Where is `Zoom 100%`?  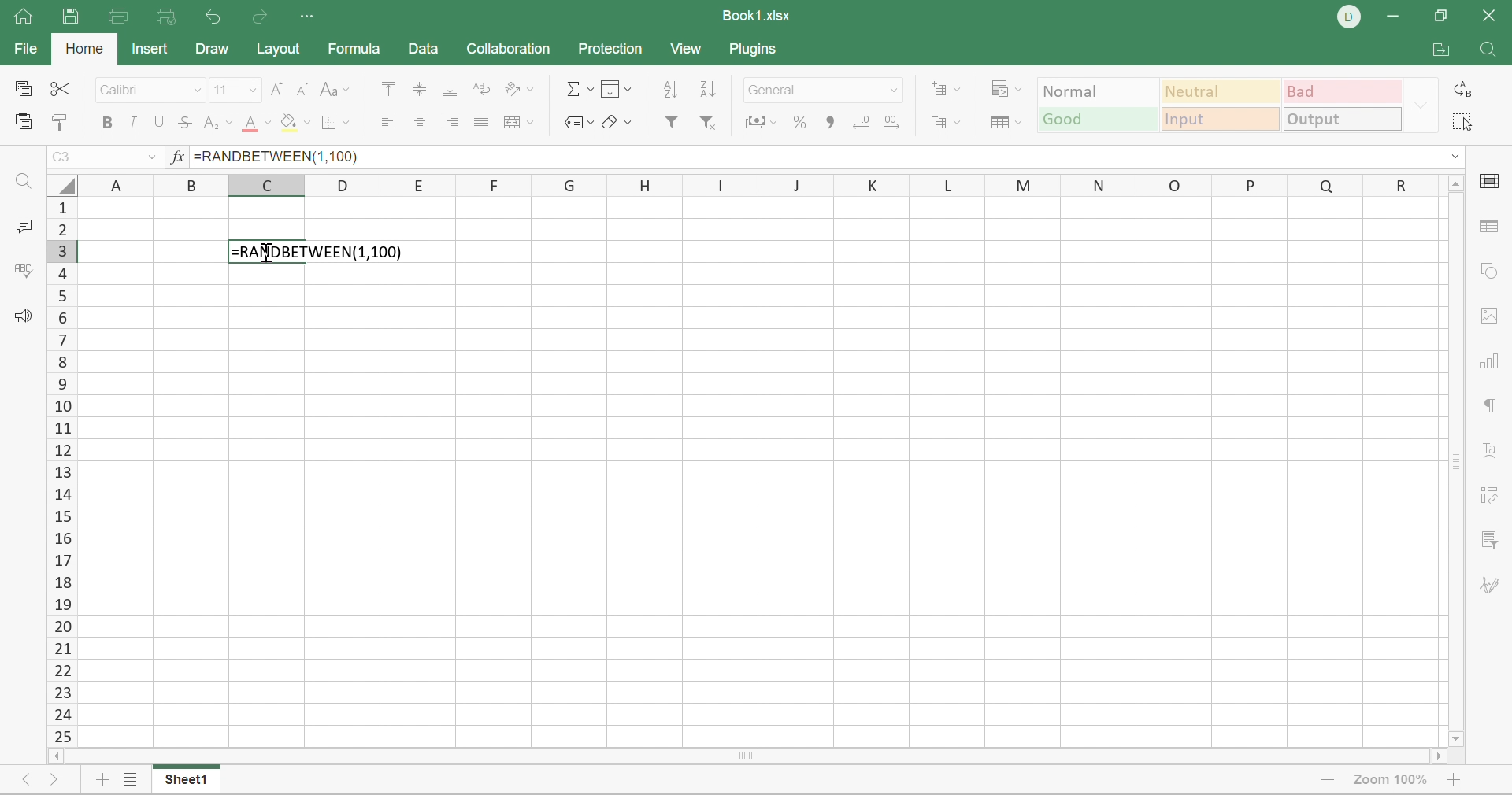 Zoom 100% is located at coordinates (1393, 778).